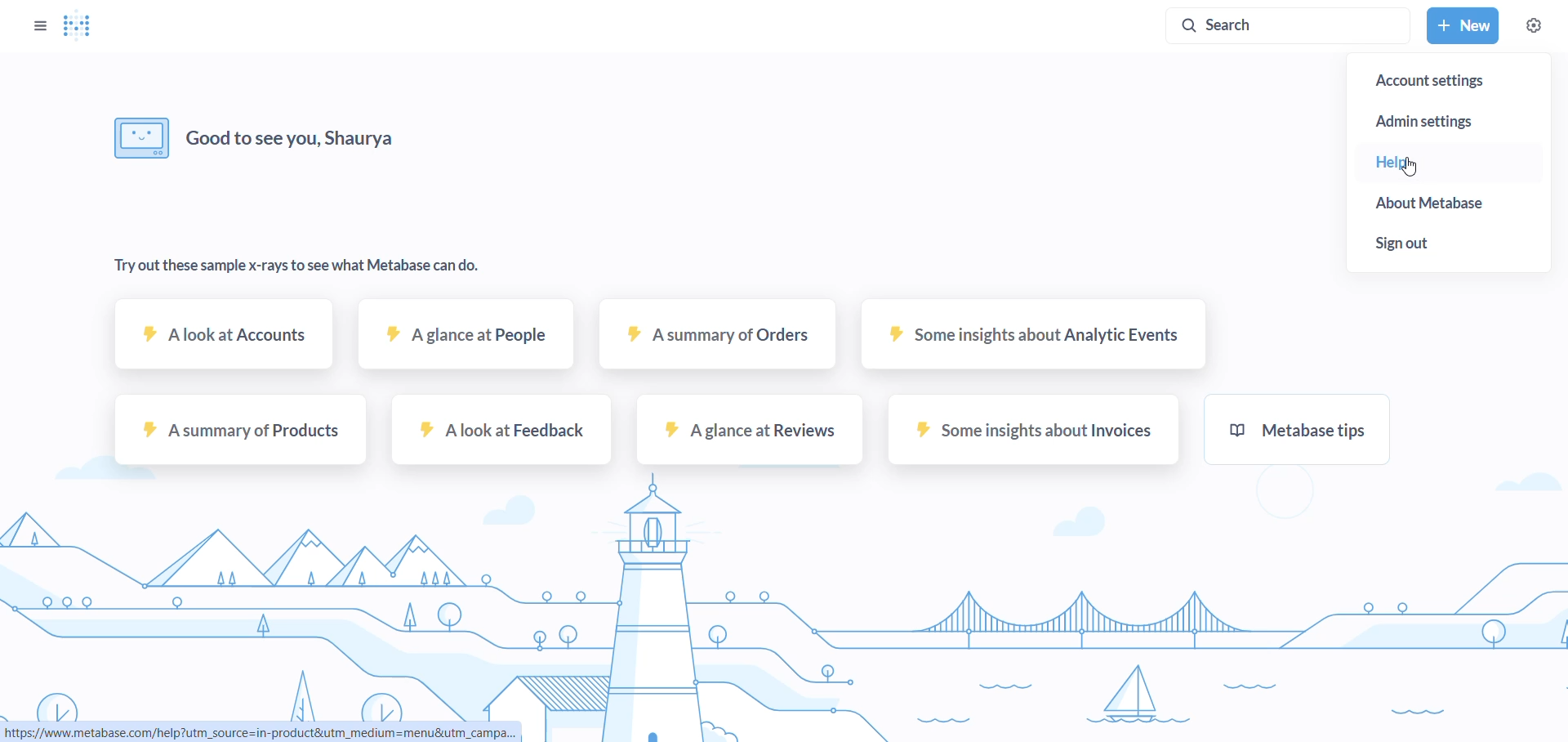 Image resolution: width=1568 pixels, height=742 pixels. Describe the element at coordinates (80, 26) in the screenshot. I see `Metabase logo` at that location.